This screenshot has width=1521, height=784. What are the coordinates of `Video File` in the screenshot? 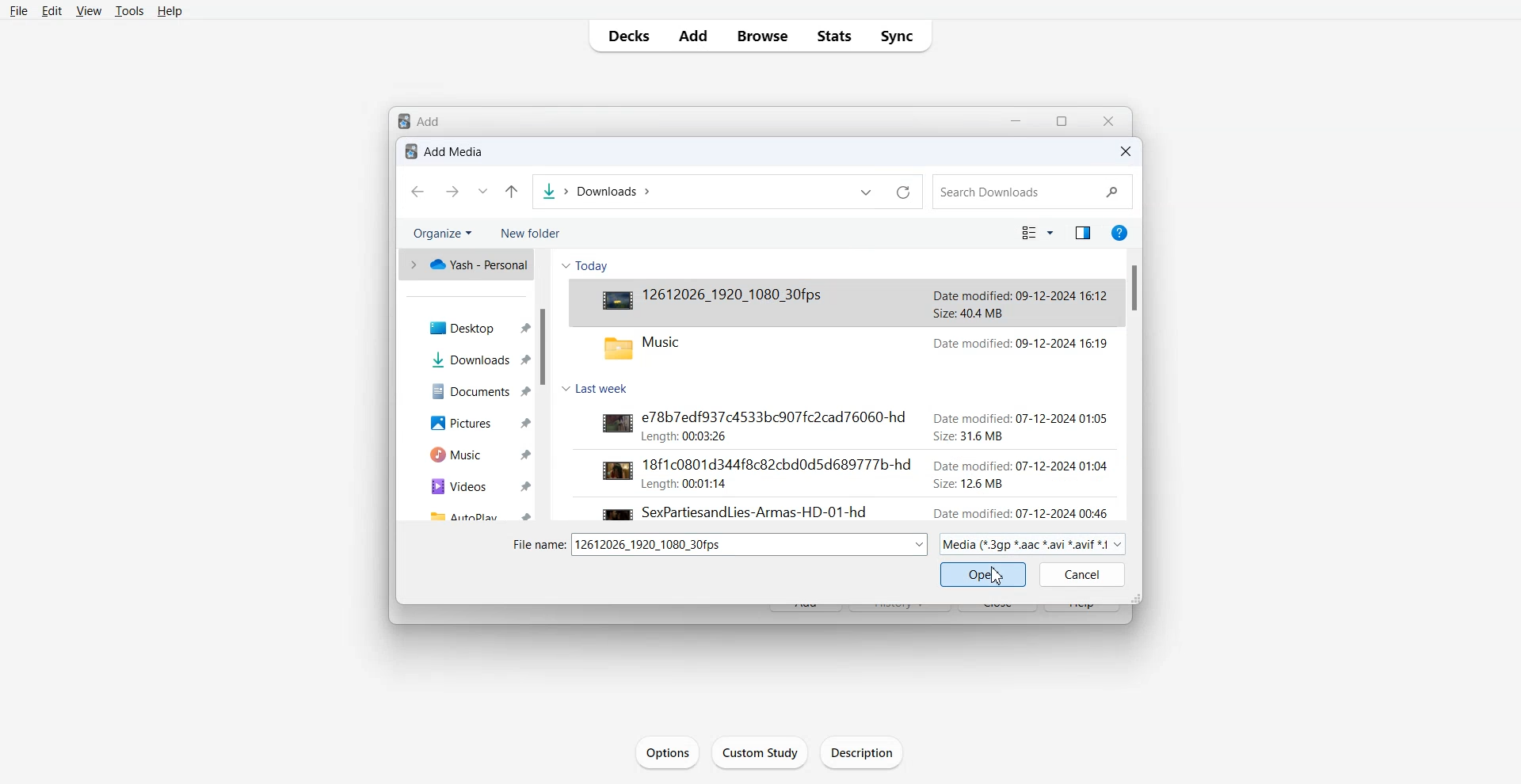 It's located at (840, 303).